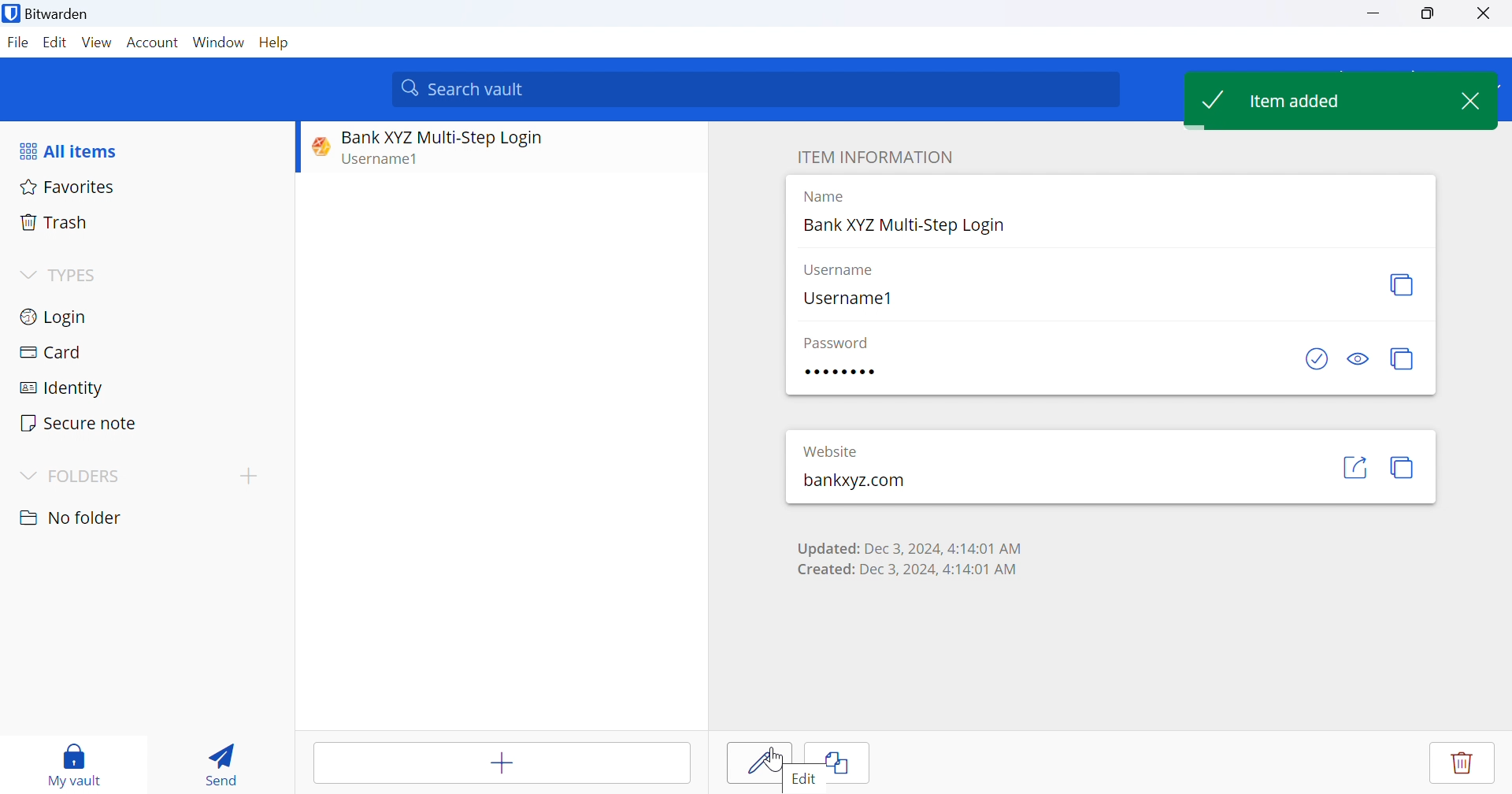 Image resolution: width=1512 pixels, height=794 pixels. What do you see at coordinates (53, 43) in the screenshot?
I see `Edit` at bounding box center [53, 43].